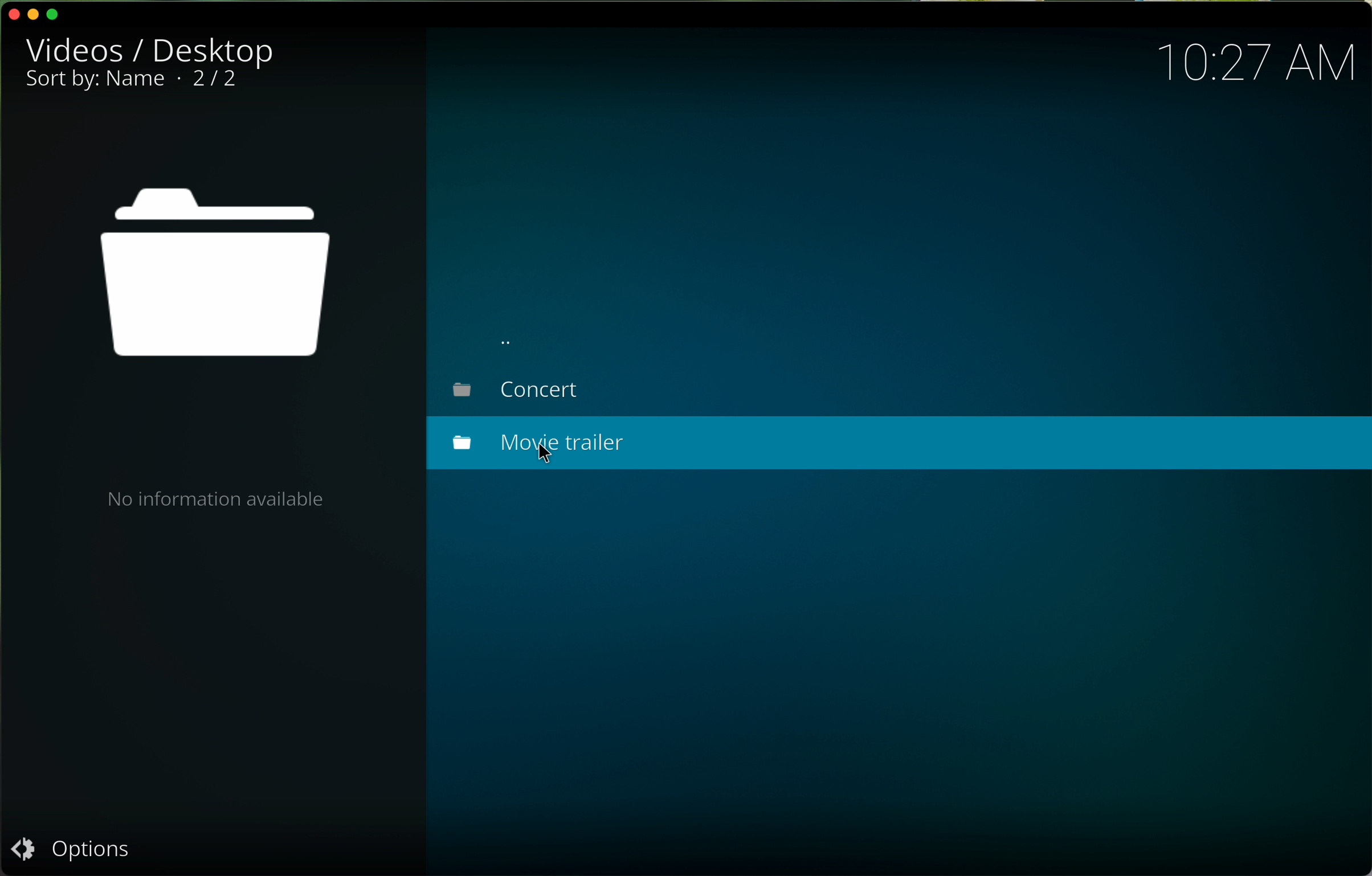 The image size is (1372, 876). Describe the element at coordinates (1254, 63) in the screenshot. I see `hour` at that location.